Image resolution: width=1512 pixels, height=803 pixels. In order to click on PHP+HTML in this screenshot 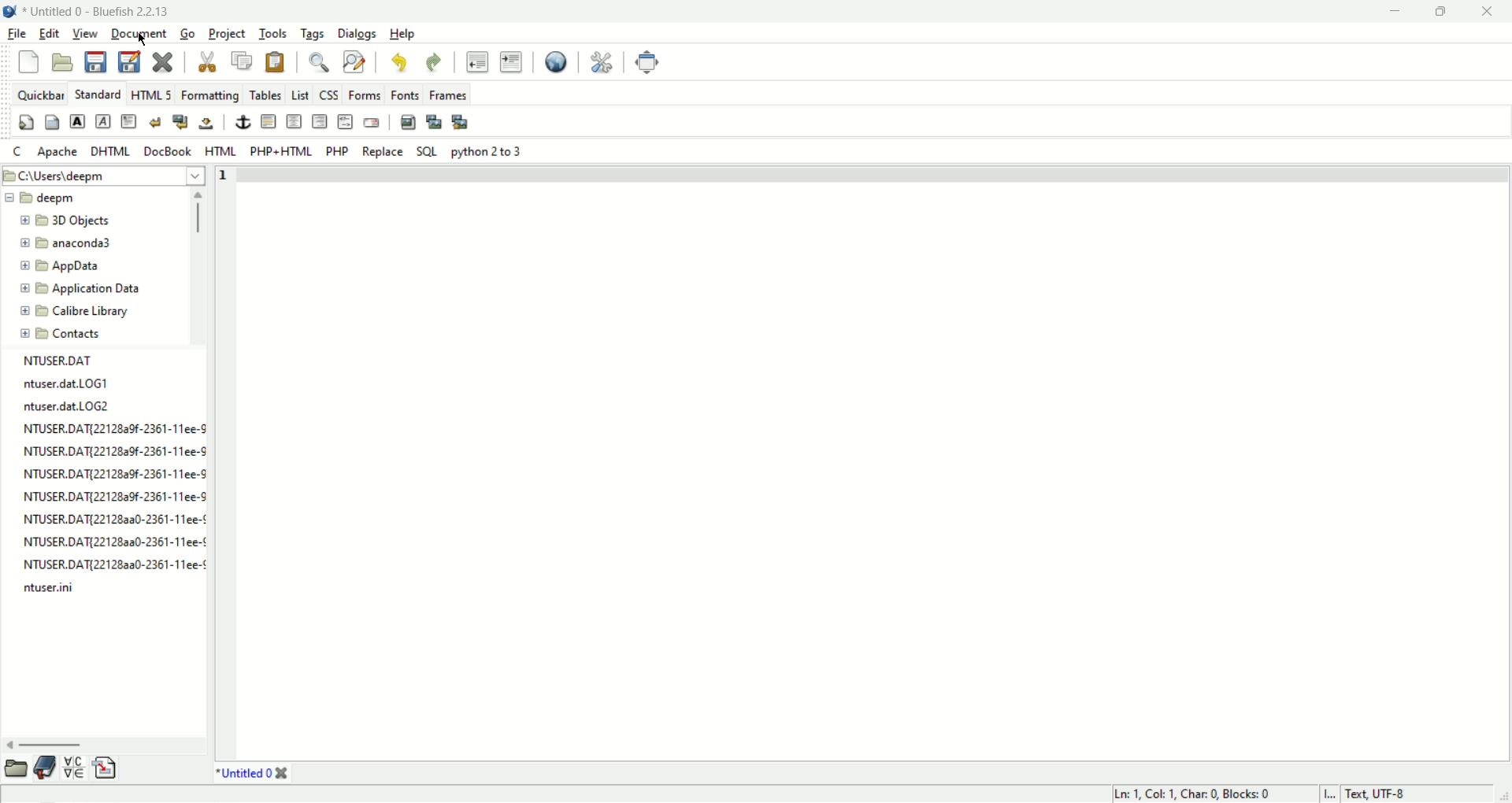, I will do `click(280, 152)`.